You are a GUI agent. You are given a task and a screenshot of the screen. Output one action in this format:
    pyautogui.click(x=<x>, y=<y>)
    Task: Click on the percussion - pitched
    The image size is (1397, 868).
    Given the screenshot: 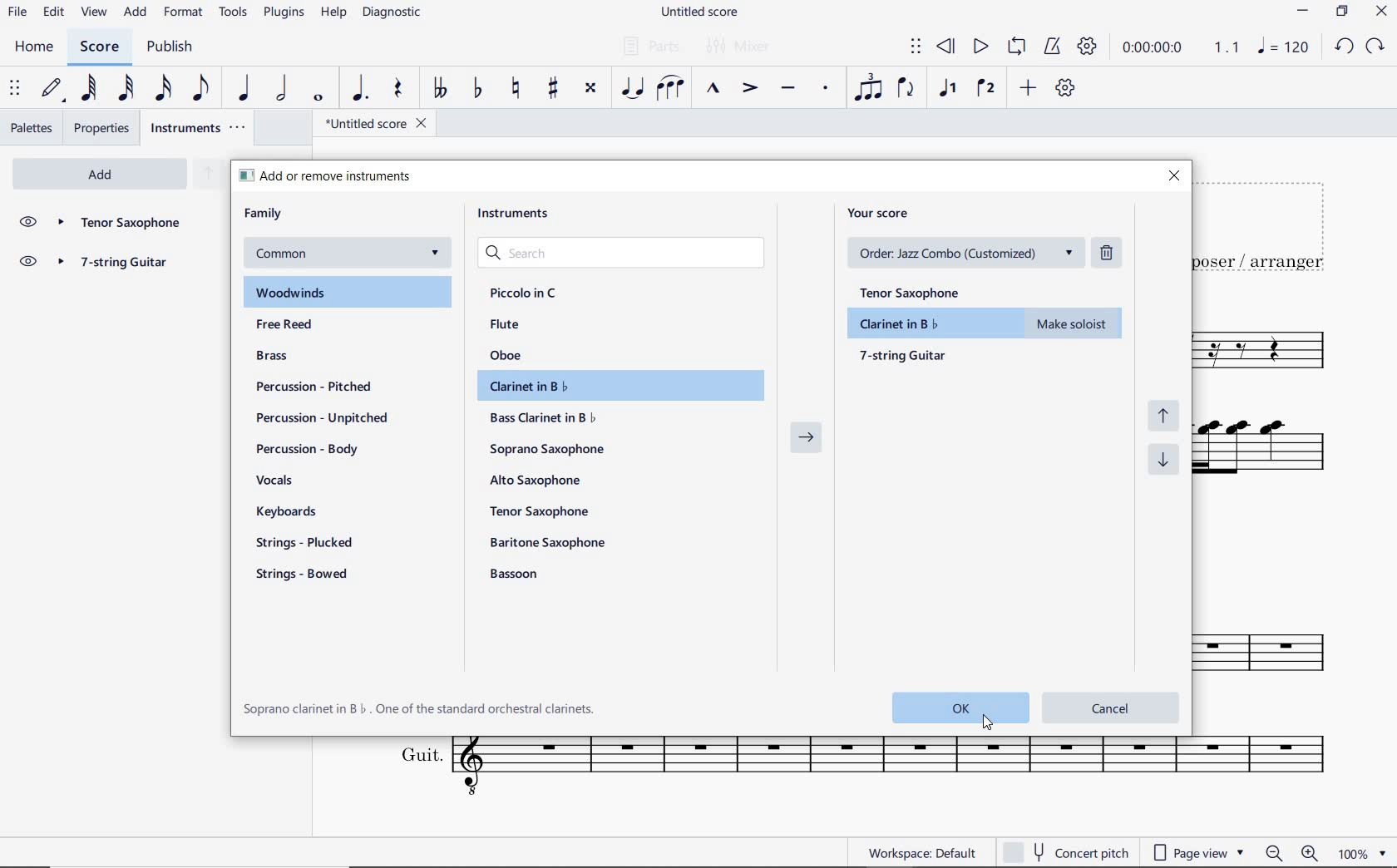 What is the action you would take?
    pyautogui.click(x=309, y=386)
    